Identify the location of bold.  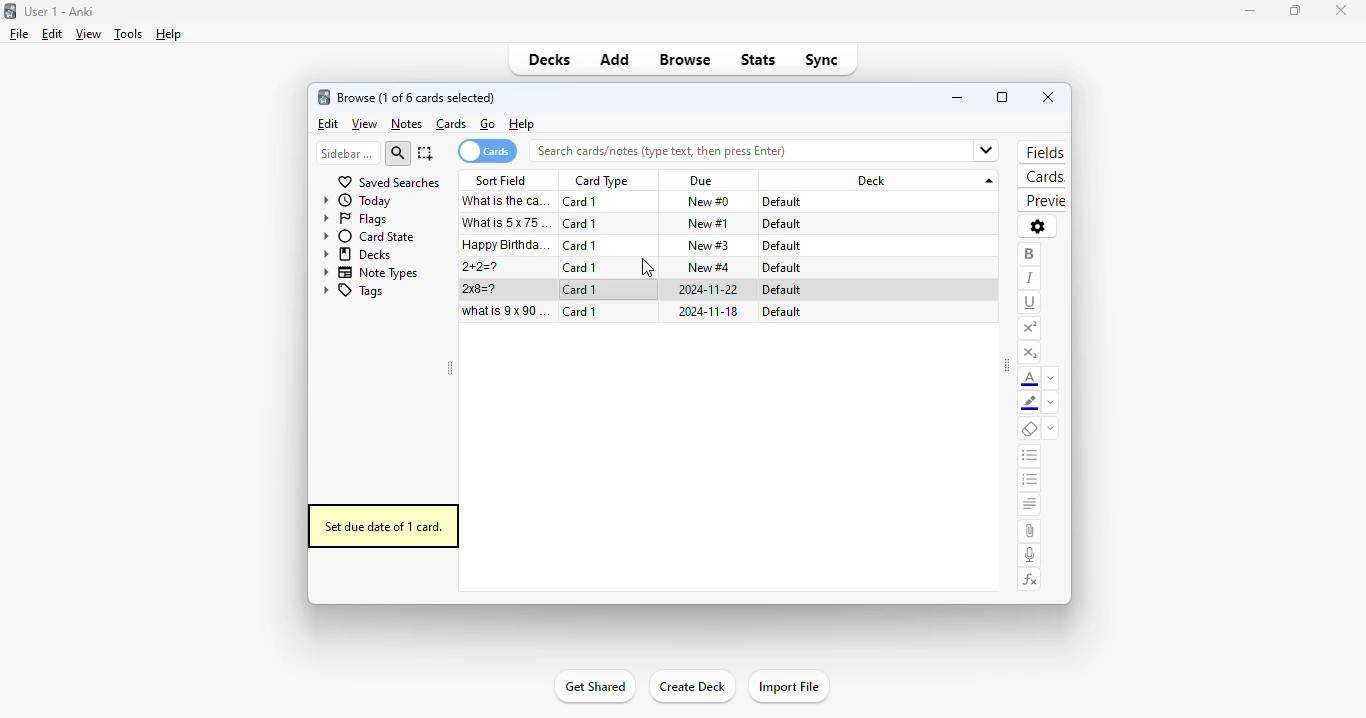
(1029, 254).